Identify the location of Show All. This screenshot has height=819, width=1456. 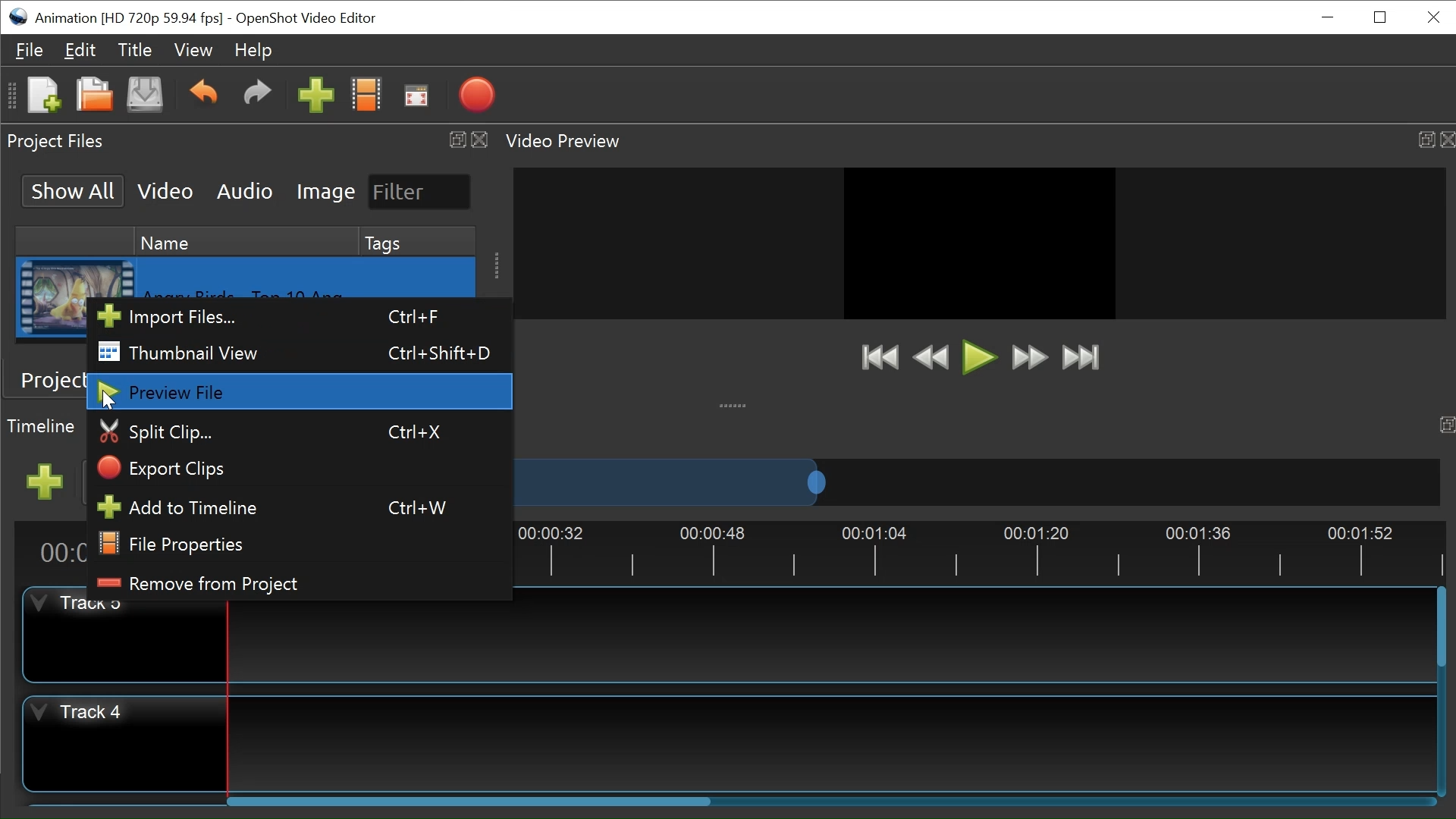
(74, 190).